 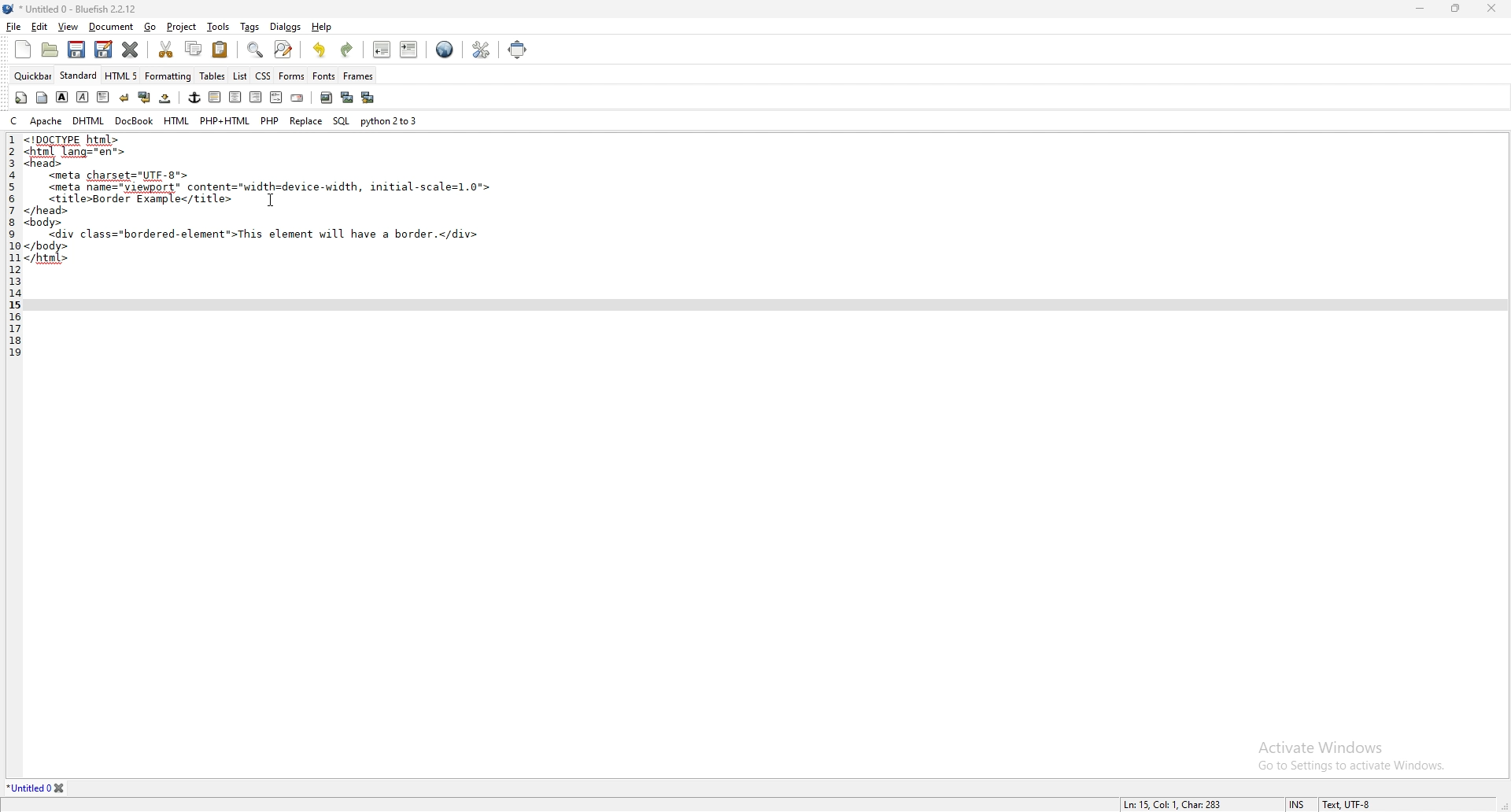 What do you see at coordinates (1345, 749) in the screenshot?
I see `Activate Windows
Go to Settings to activate Windows.` at bounding box center [1345, 749].